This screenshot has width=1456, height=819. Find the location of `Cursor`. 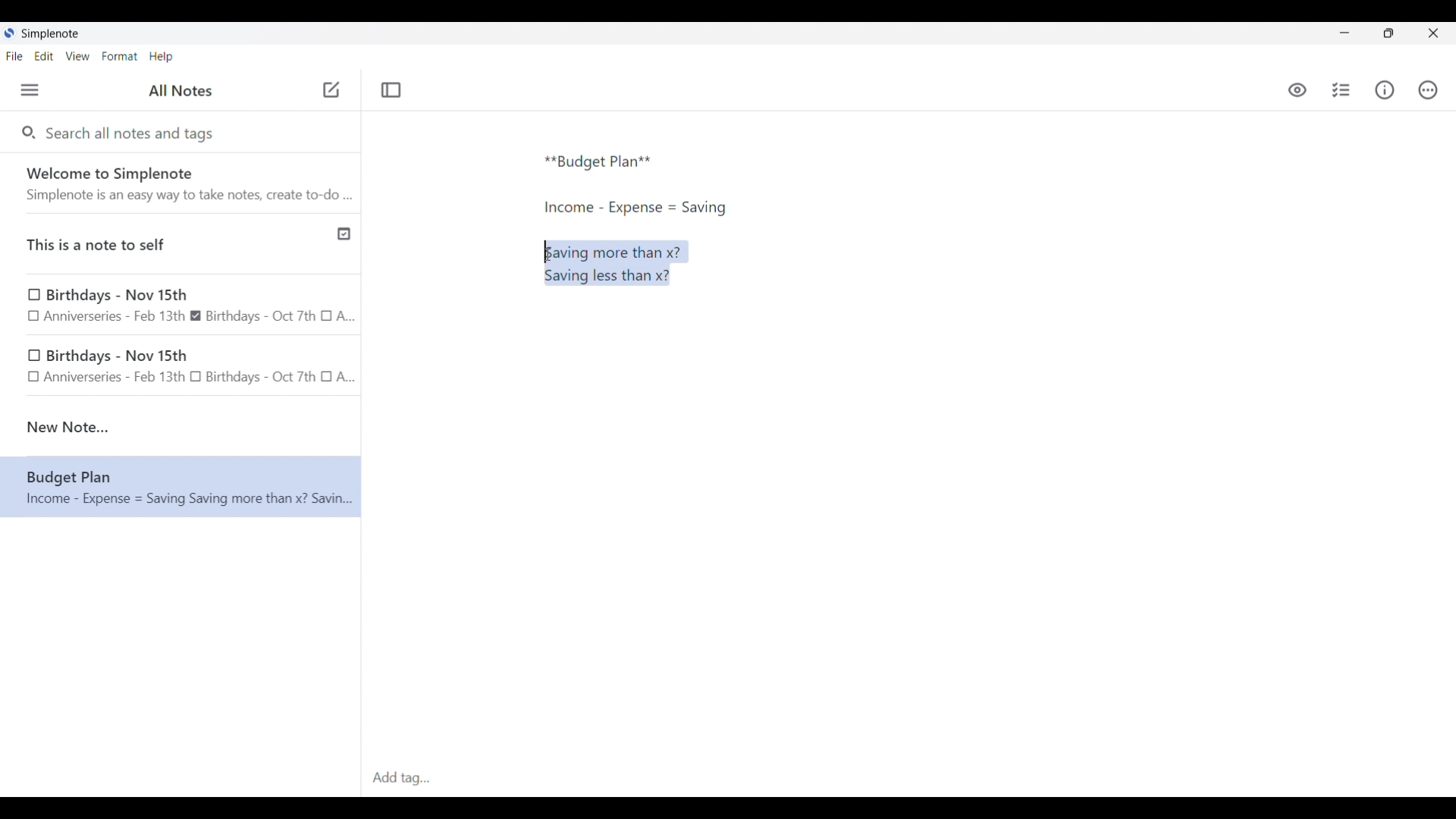

Cursor is located at coordinates (548, 255).